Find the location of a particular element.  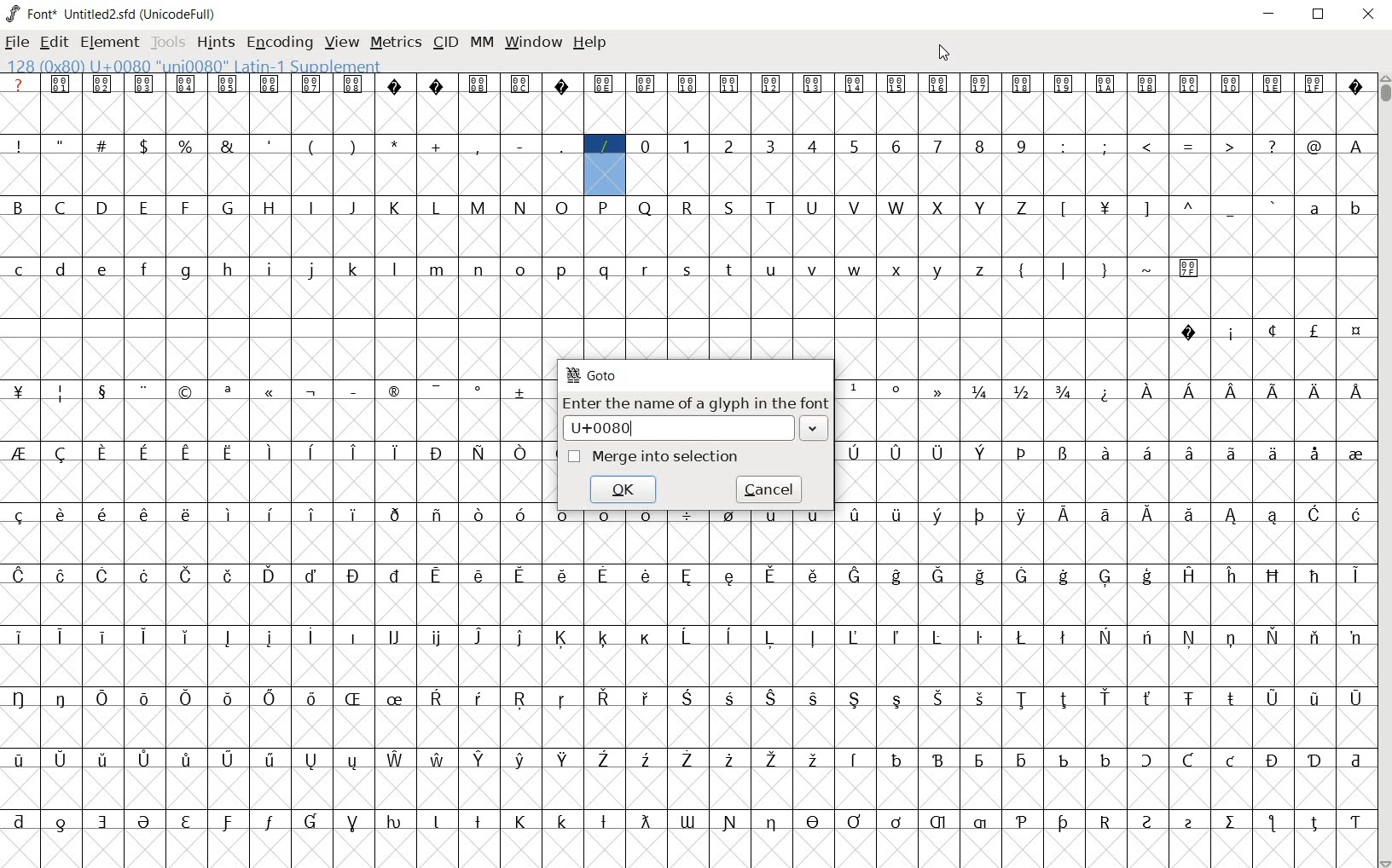

cancel is located at coordinates (769, 488).